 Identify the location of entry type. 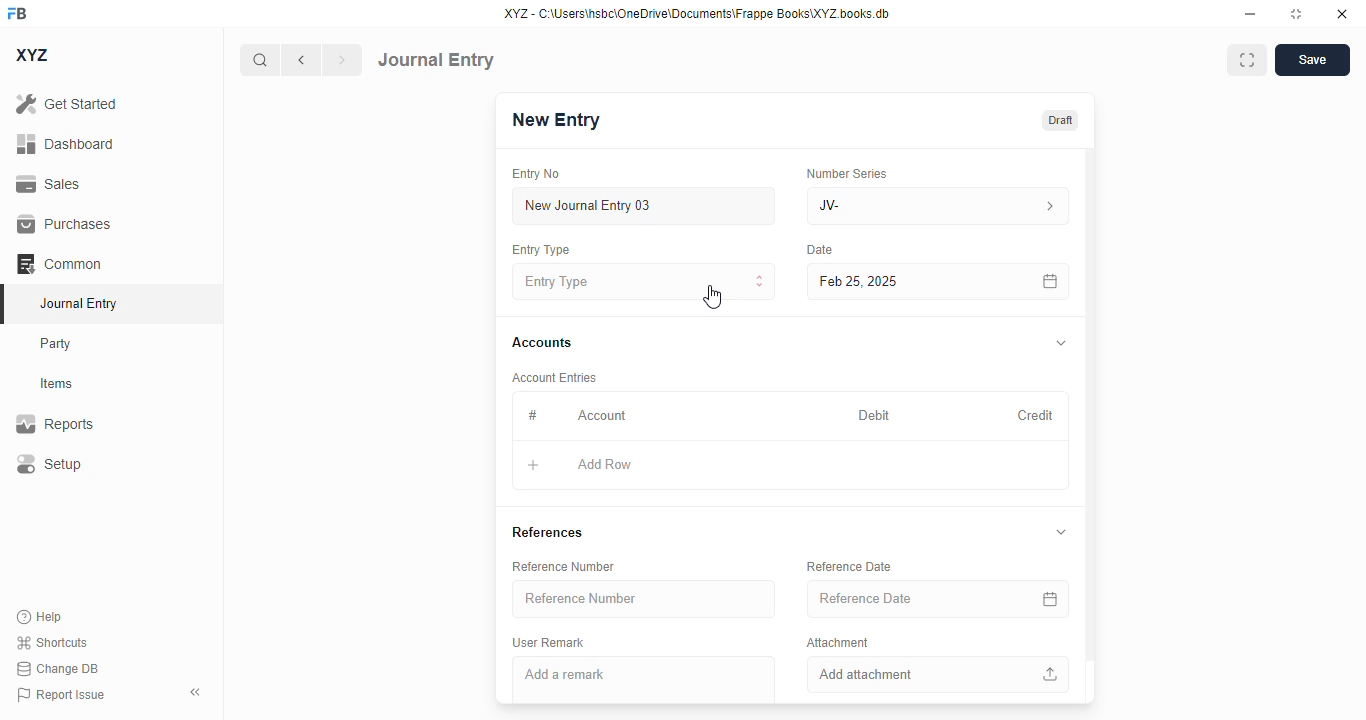
(539, 249).